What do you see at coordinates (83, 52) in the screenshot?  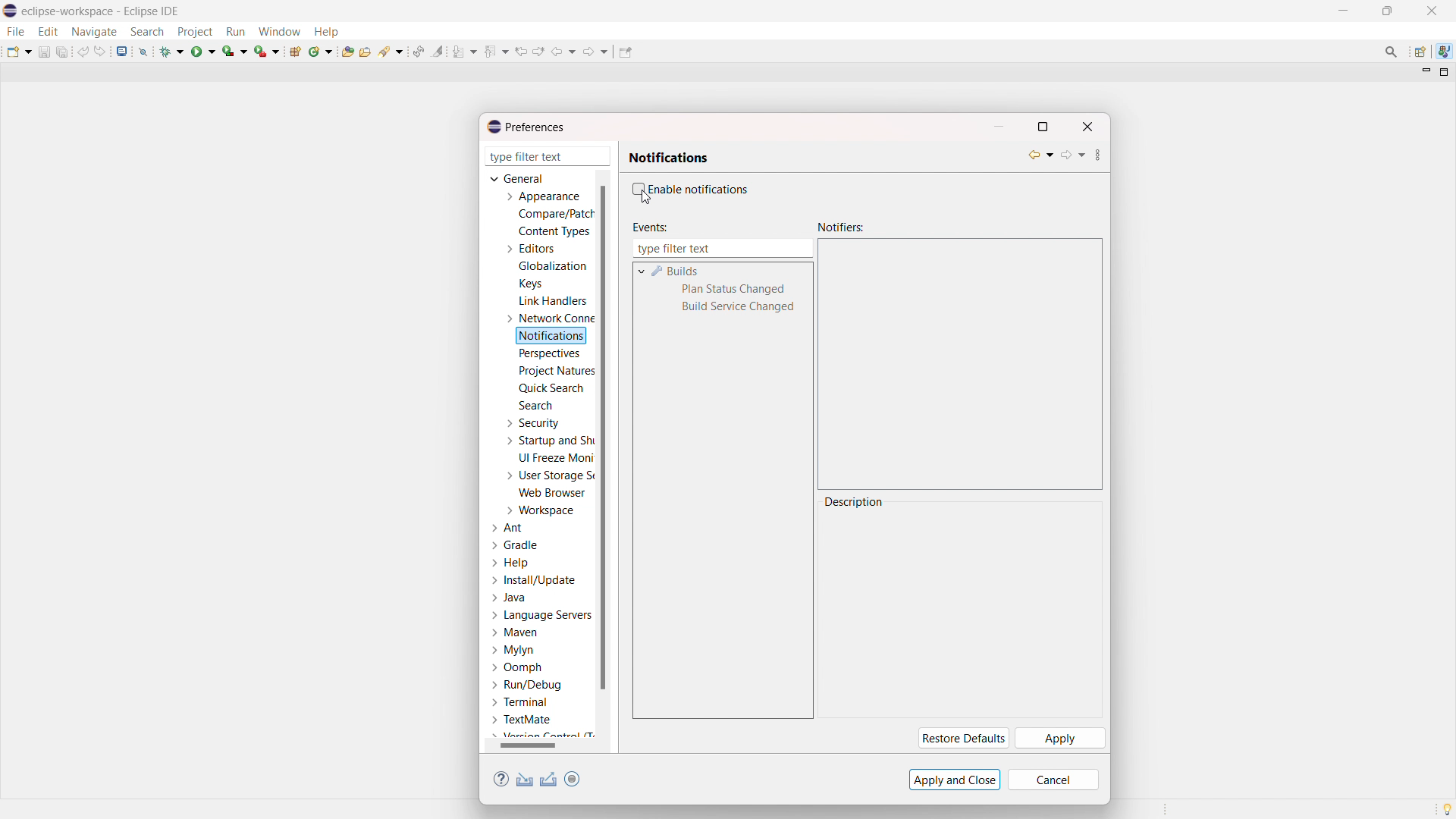 I see `undo` at bounding box center [83, 52].